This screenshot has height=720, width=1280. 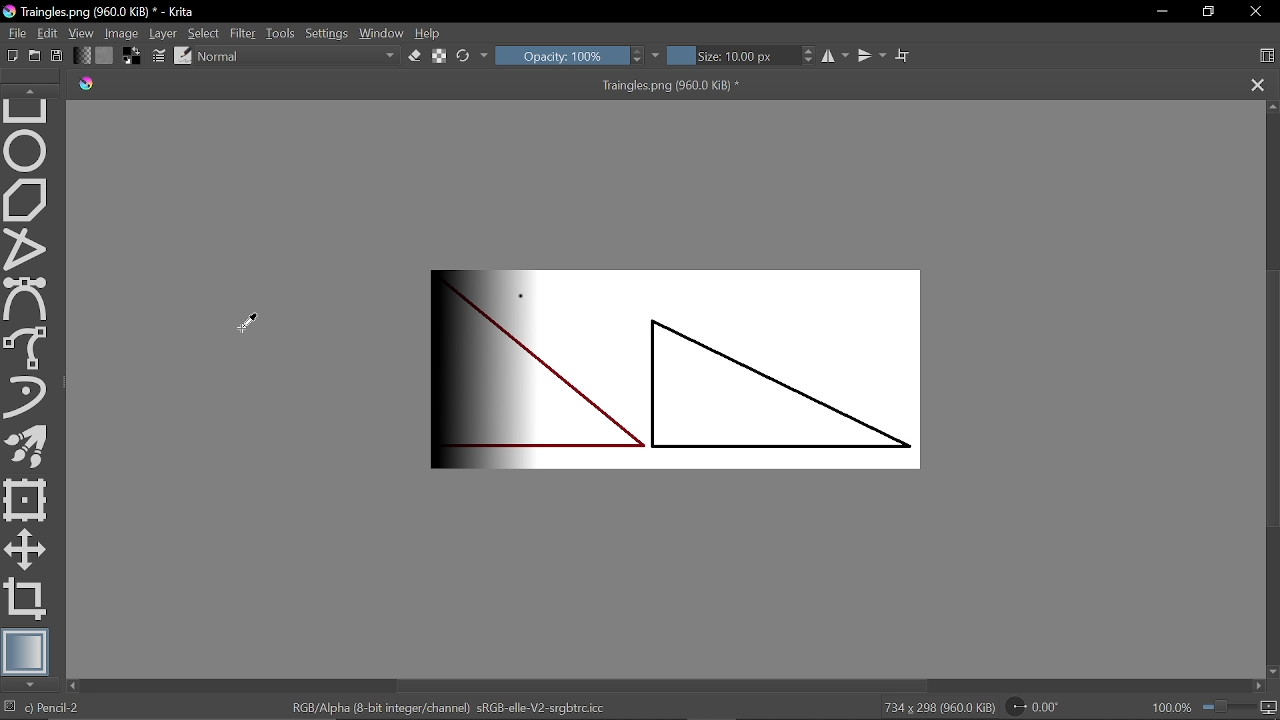 What do you see at coordinates (131, 55) in the screenshot?
I see `Background color` at bounding box center [131, 55].